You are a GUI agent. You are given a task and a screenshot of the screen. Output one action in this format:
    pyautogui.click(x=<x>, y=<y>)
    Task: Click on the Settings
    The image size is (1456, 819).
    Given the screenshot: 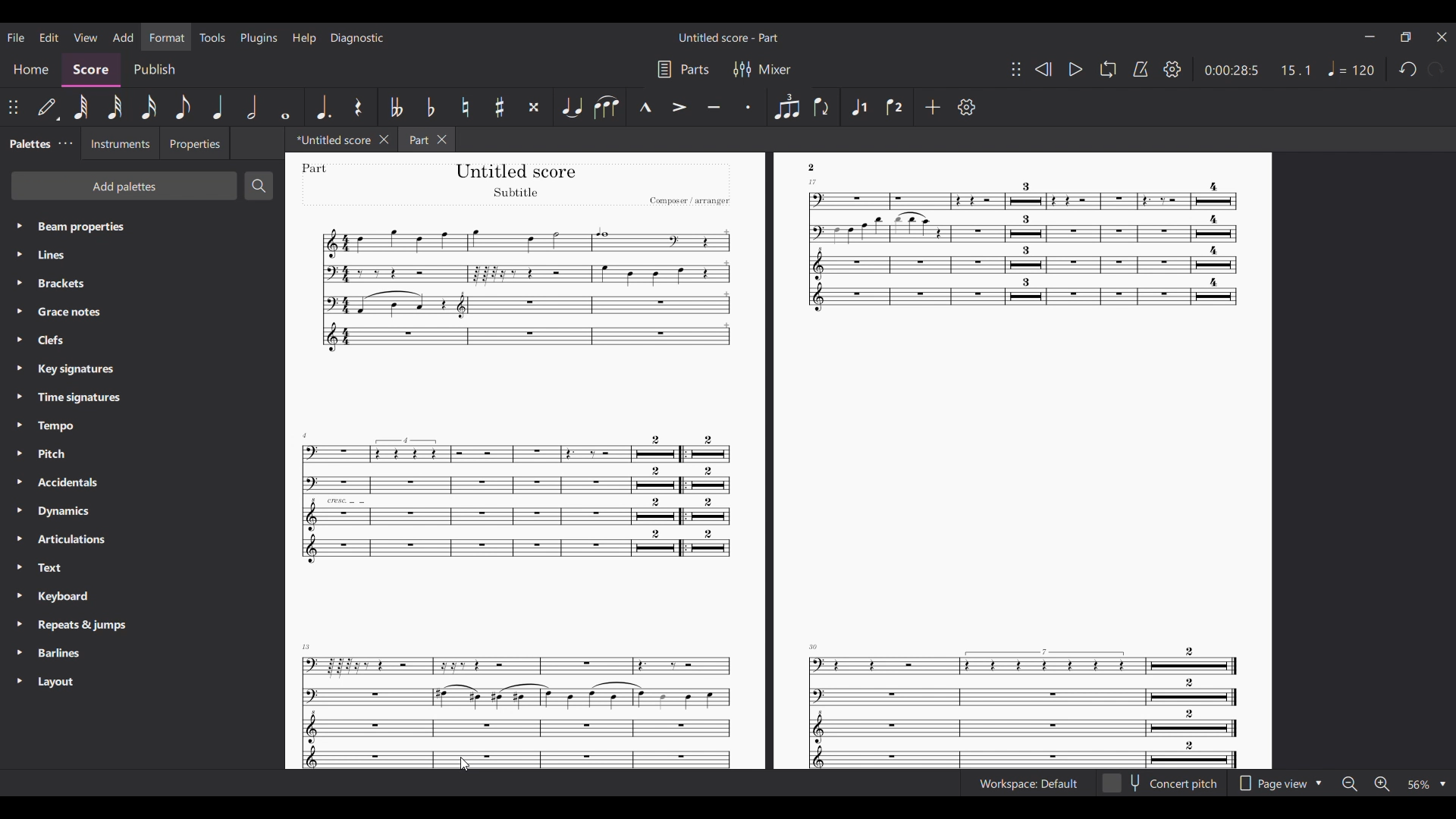 What is the action you would take?
    pyautogui.click(x=1172, y=69)
    